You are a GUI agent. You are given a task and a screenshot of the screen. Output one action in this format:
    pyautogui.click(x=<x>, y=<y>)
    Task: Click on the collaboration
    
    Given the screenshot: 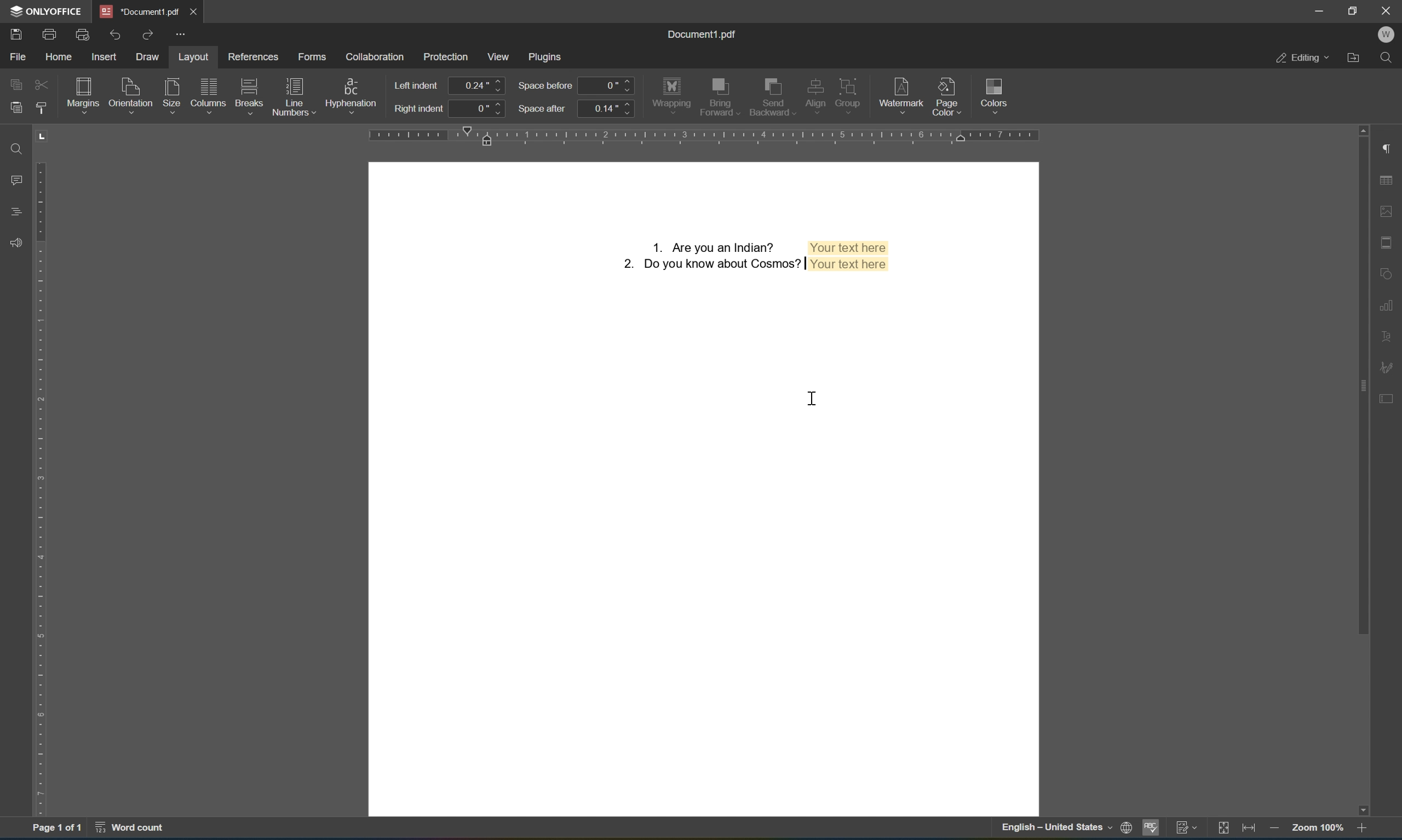 What is the action you would take?
    pyautogui.click(x=378, y=56)
    